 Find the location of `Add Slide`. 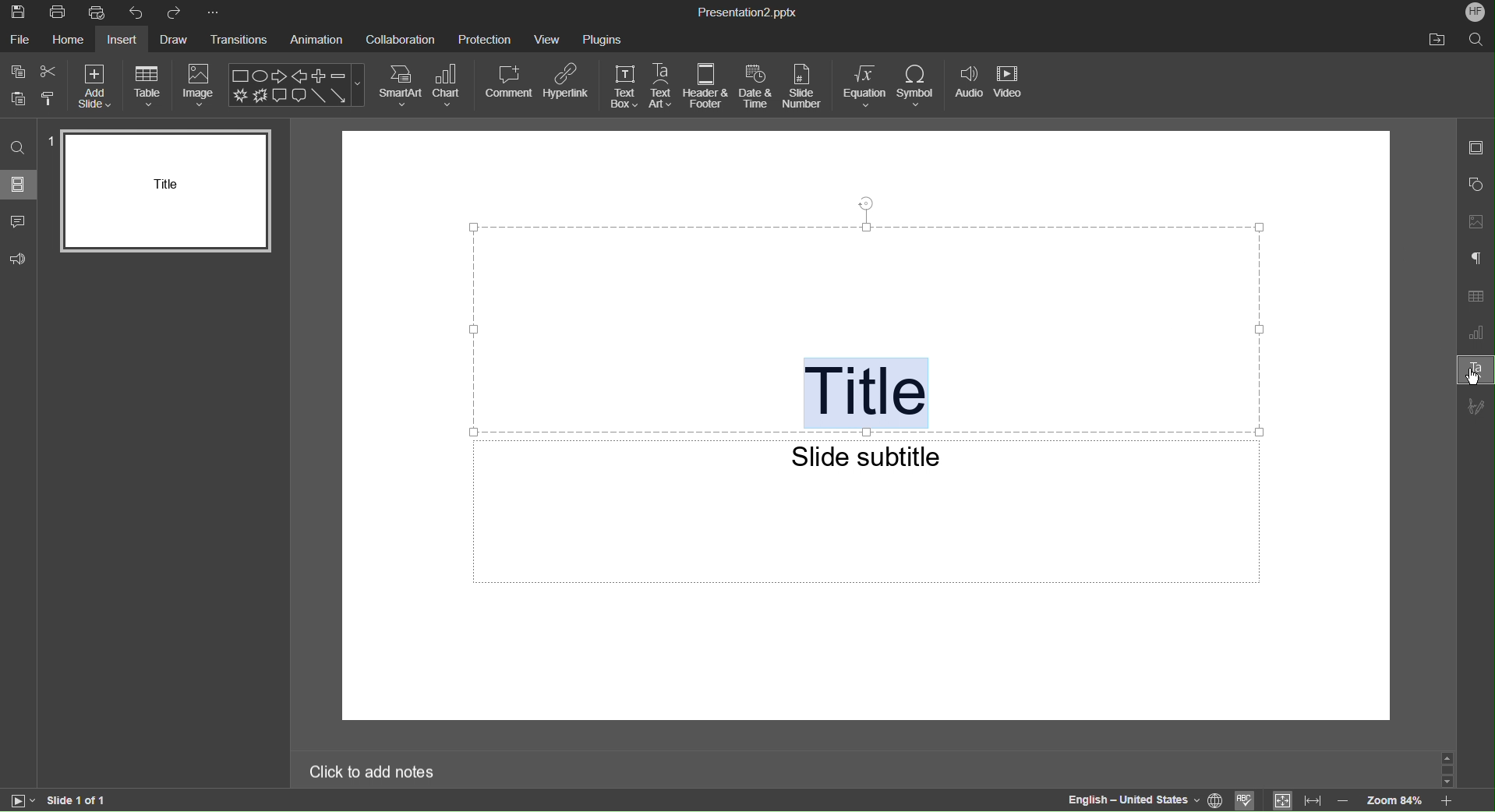

Add Slide is located at coordinates (93, 86).